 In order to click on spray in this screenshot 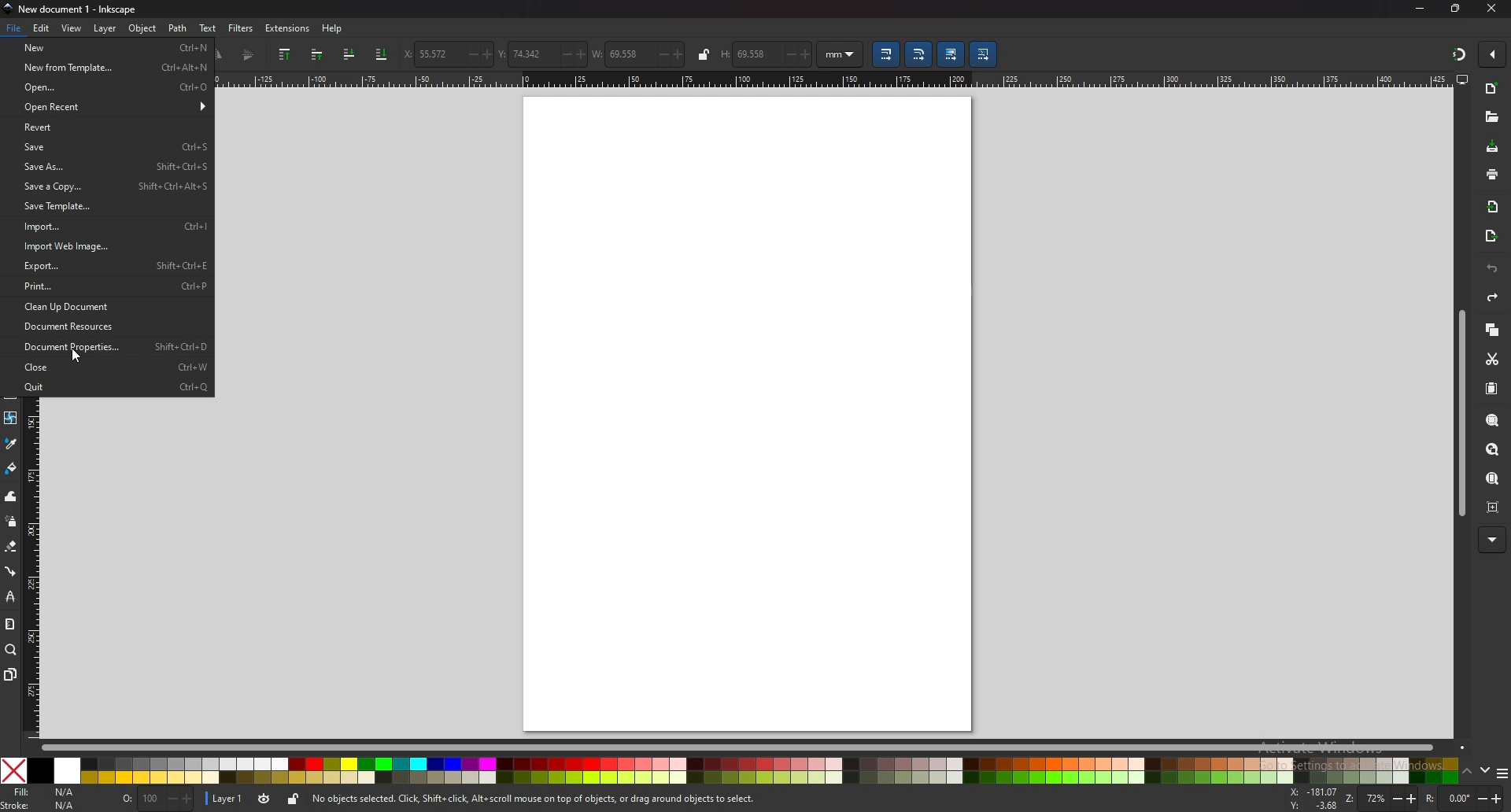, I will do `click(11, 522)`.